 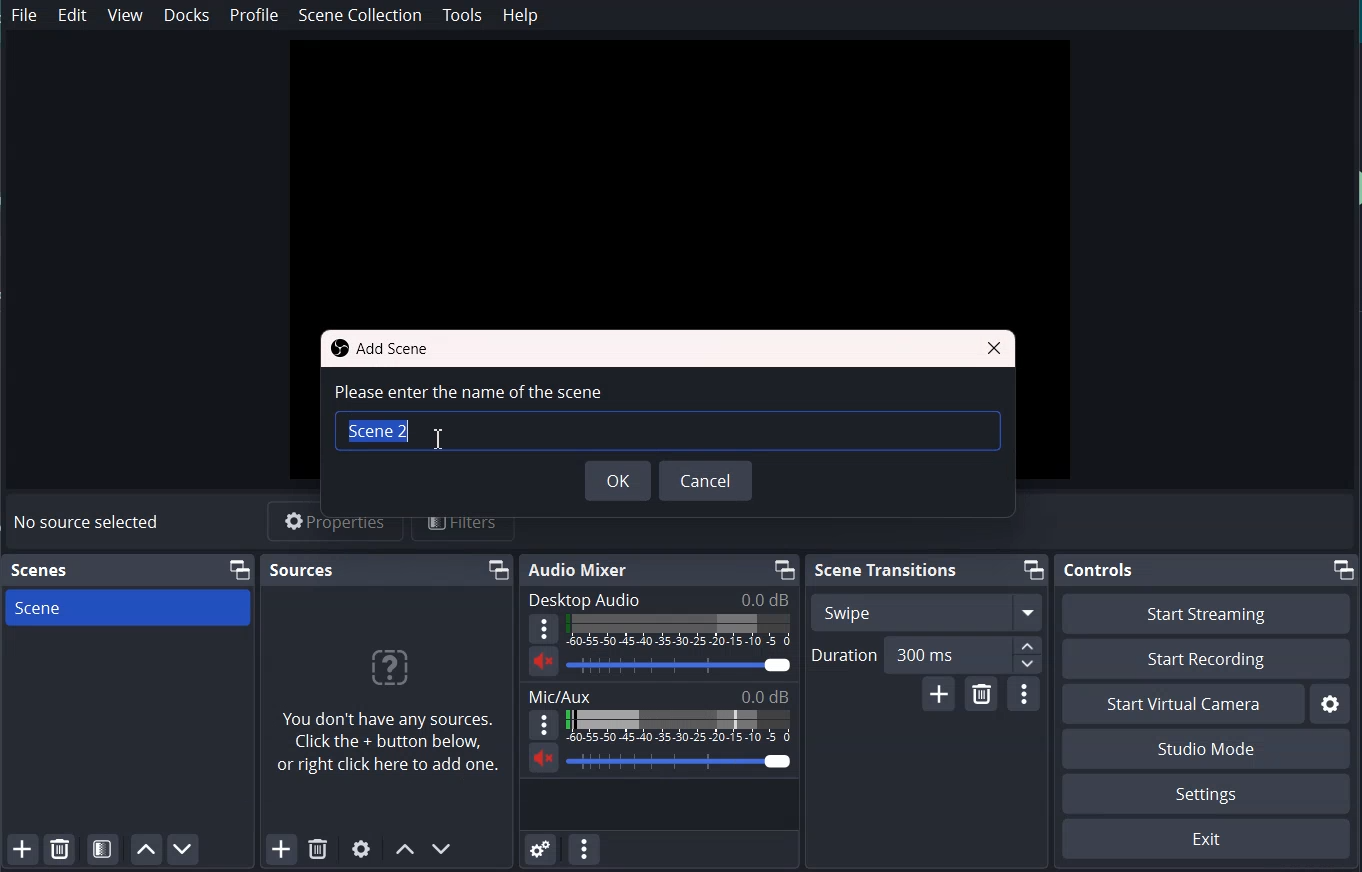 I want to click on Add Source, so click(x=281, y=850).